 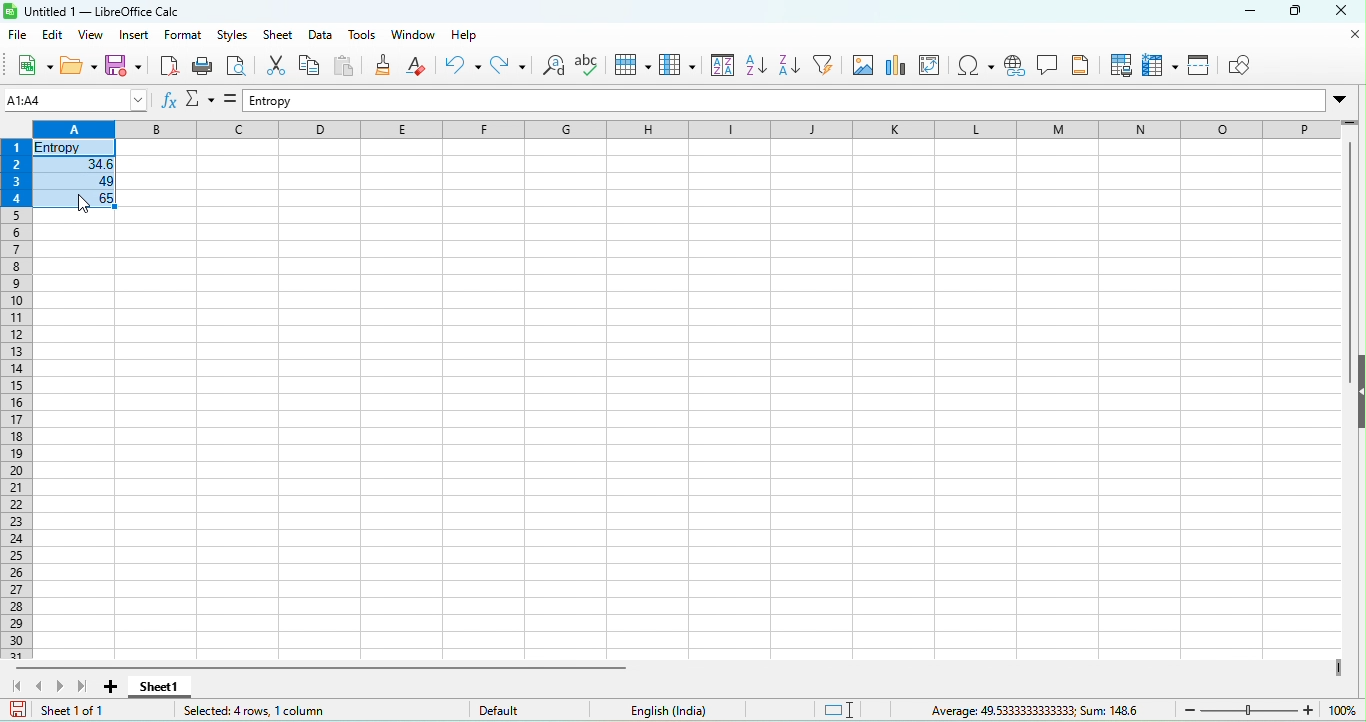 I want to click on scroll to first sheet, so click(x=15, y=683).